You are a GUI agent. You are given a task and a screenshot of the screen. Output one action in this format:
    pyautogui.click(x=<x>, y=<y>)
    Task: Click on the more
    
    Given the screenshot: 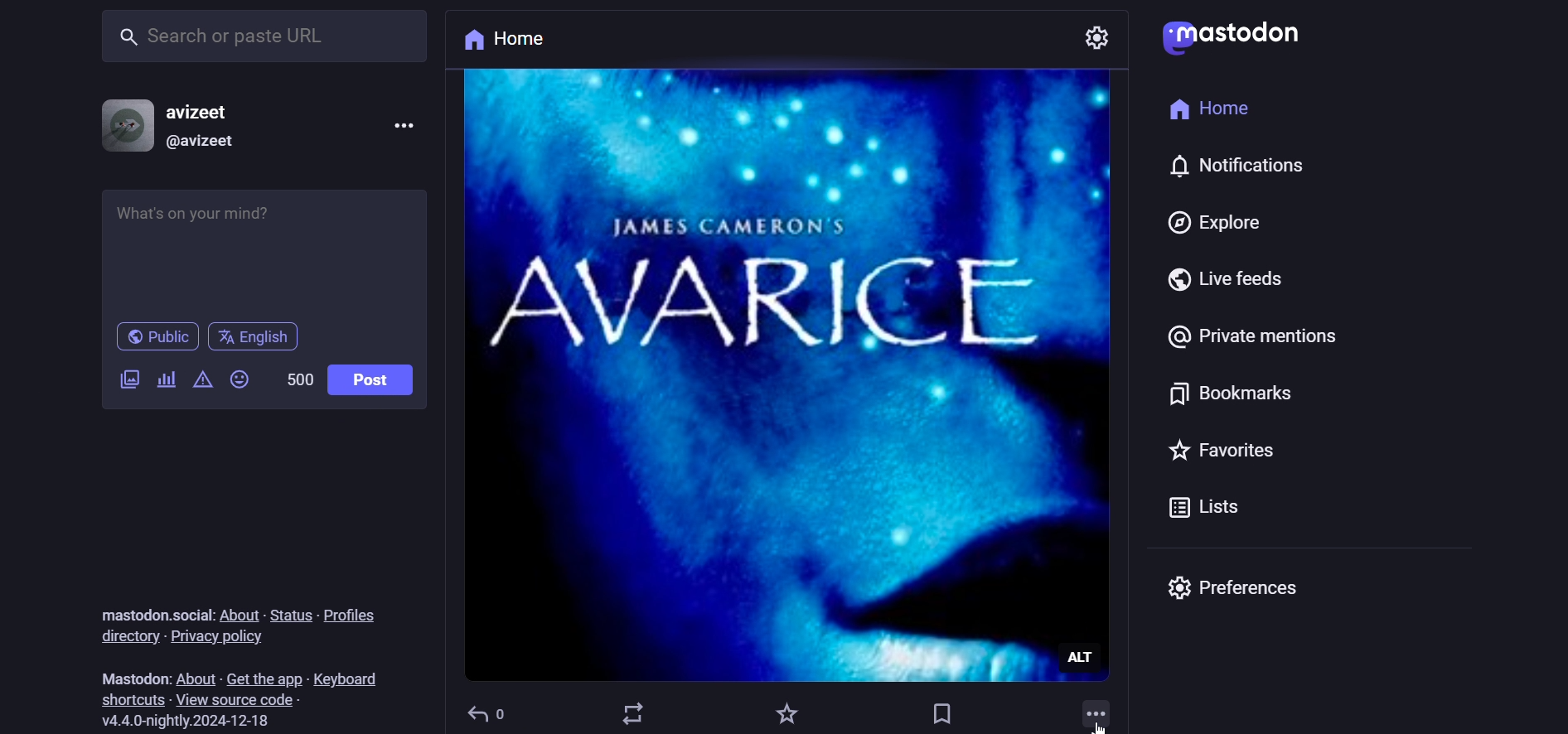 What is the action you would take?
    pyautogui.click(x=1096, y=708)
    